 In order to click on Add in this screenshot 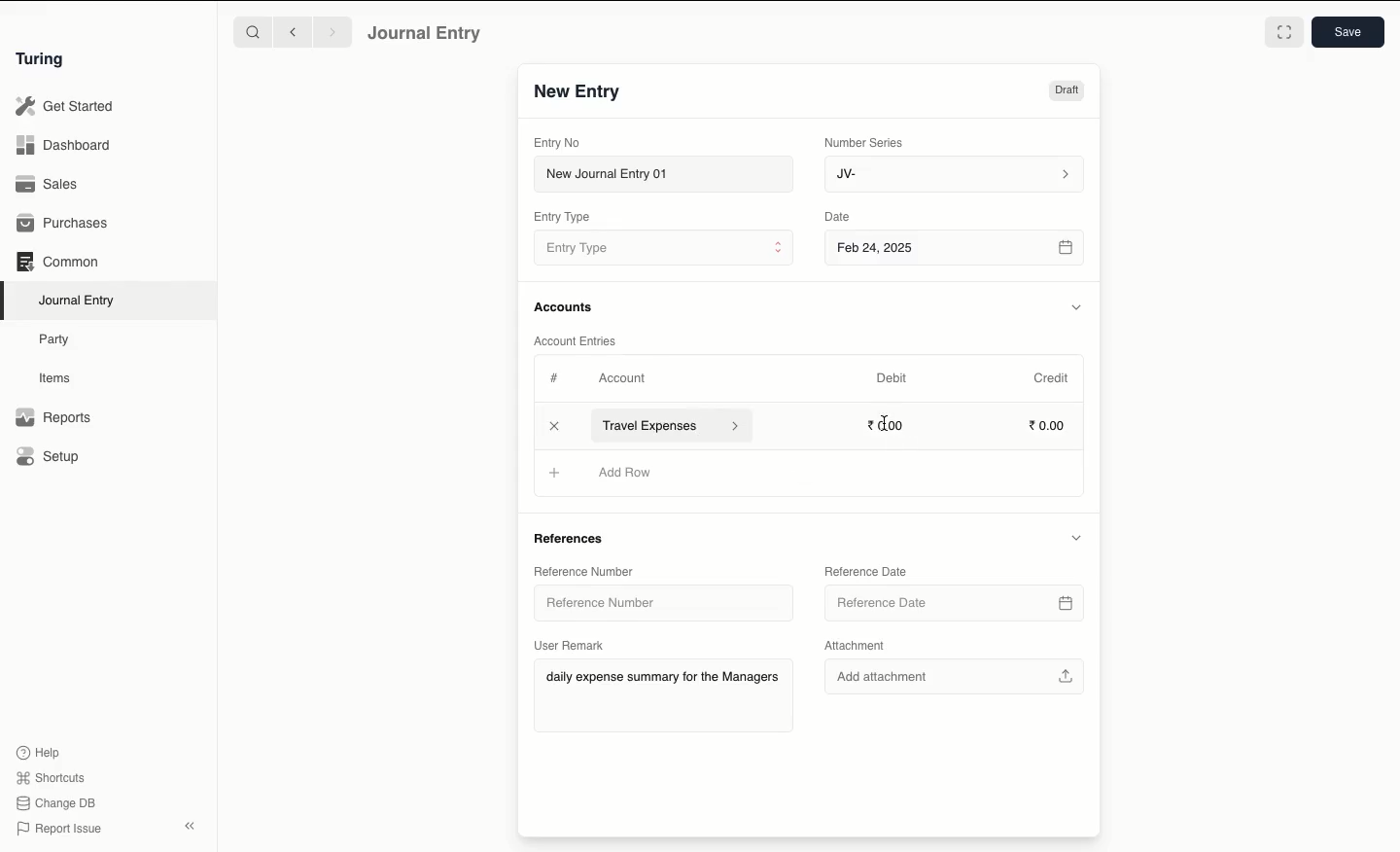, I will do `click(555, 426)`.